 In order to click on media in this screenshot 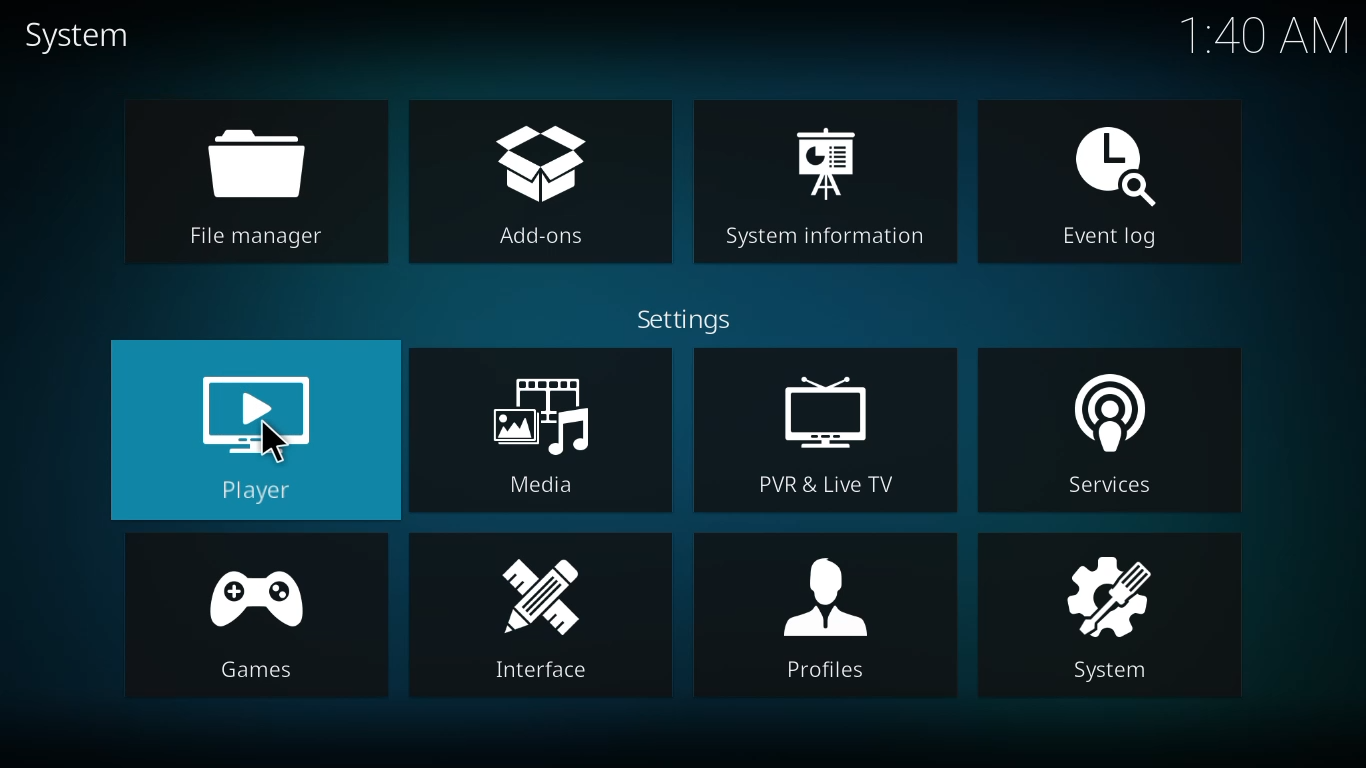, I will do `click(542, 433)`.